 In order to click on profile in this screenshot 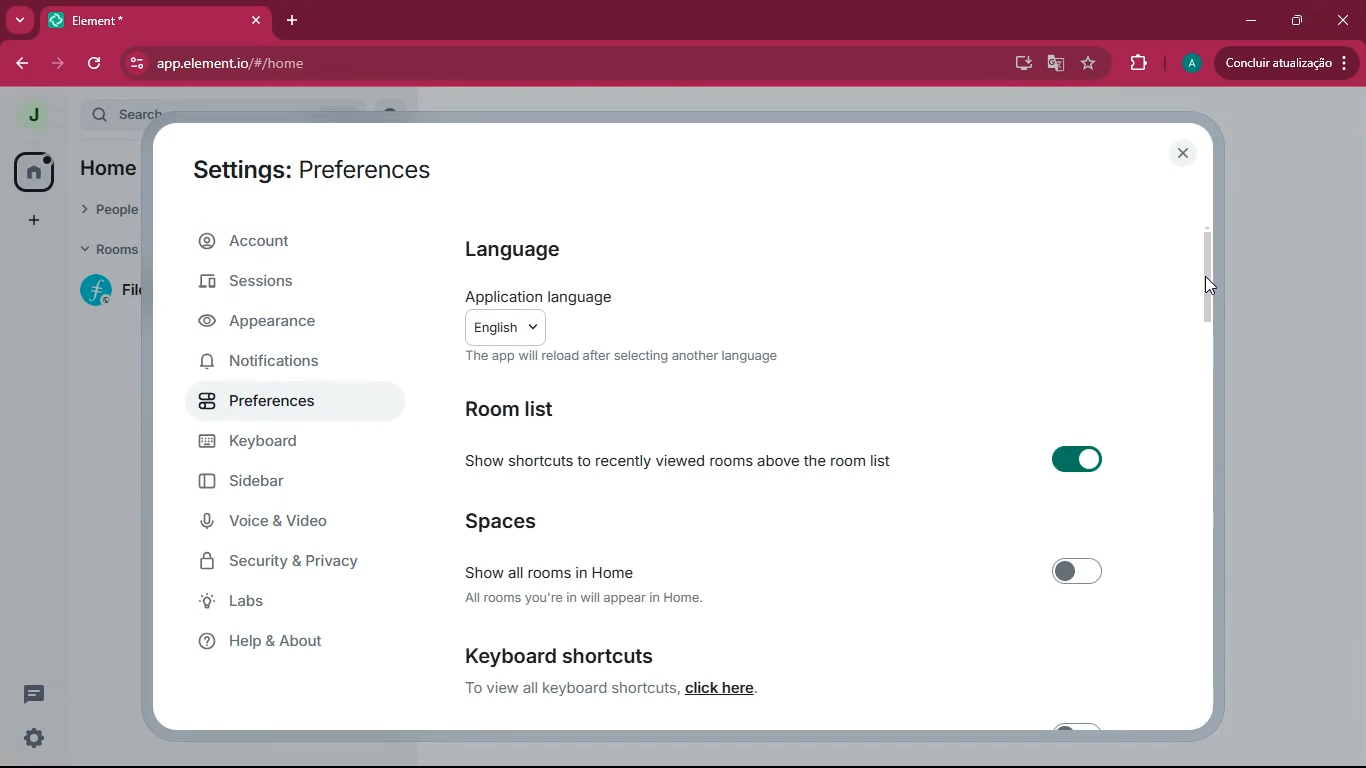, I will do `click(31, 113)`.